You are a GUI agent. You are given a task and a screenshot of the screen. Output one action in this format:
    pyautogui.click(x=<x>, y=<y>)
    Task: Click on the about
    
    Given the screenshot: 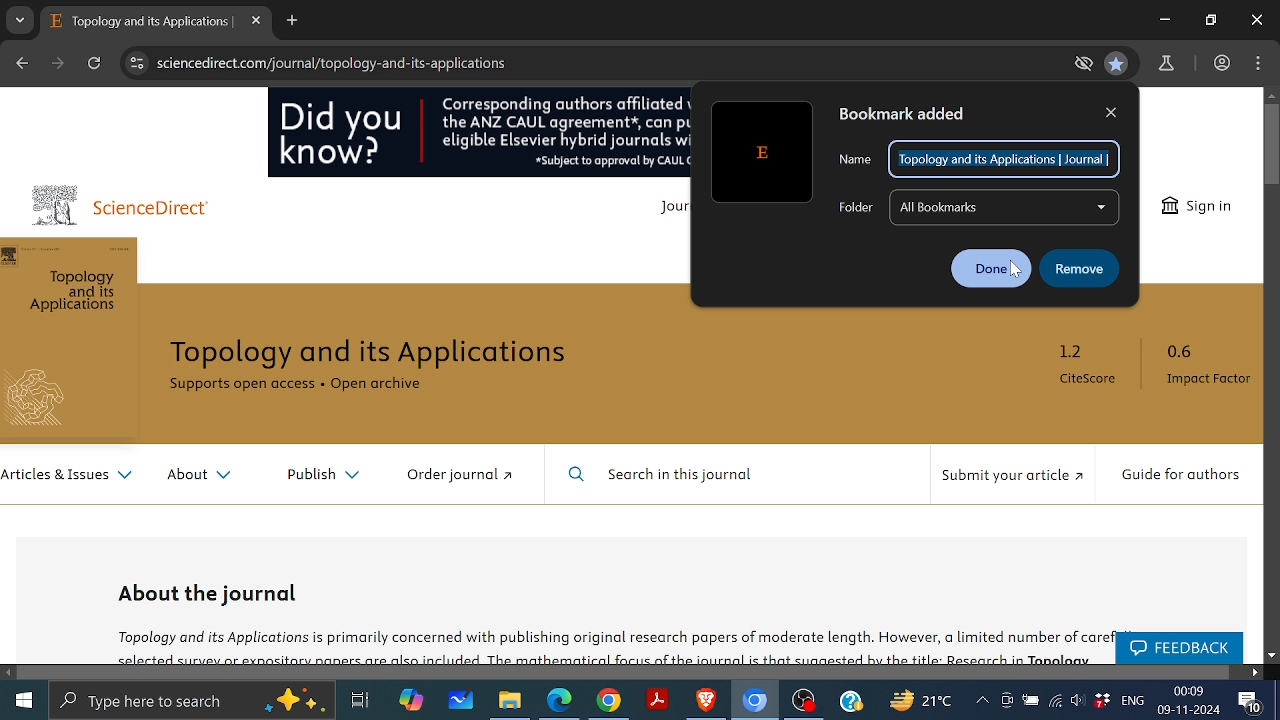 What is the action you would take?
    pyautogui.click(x=200, y=478)
    